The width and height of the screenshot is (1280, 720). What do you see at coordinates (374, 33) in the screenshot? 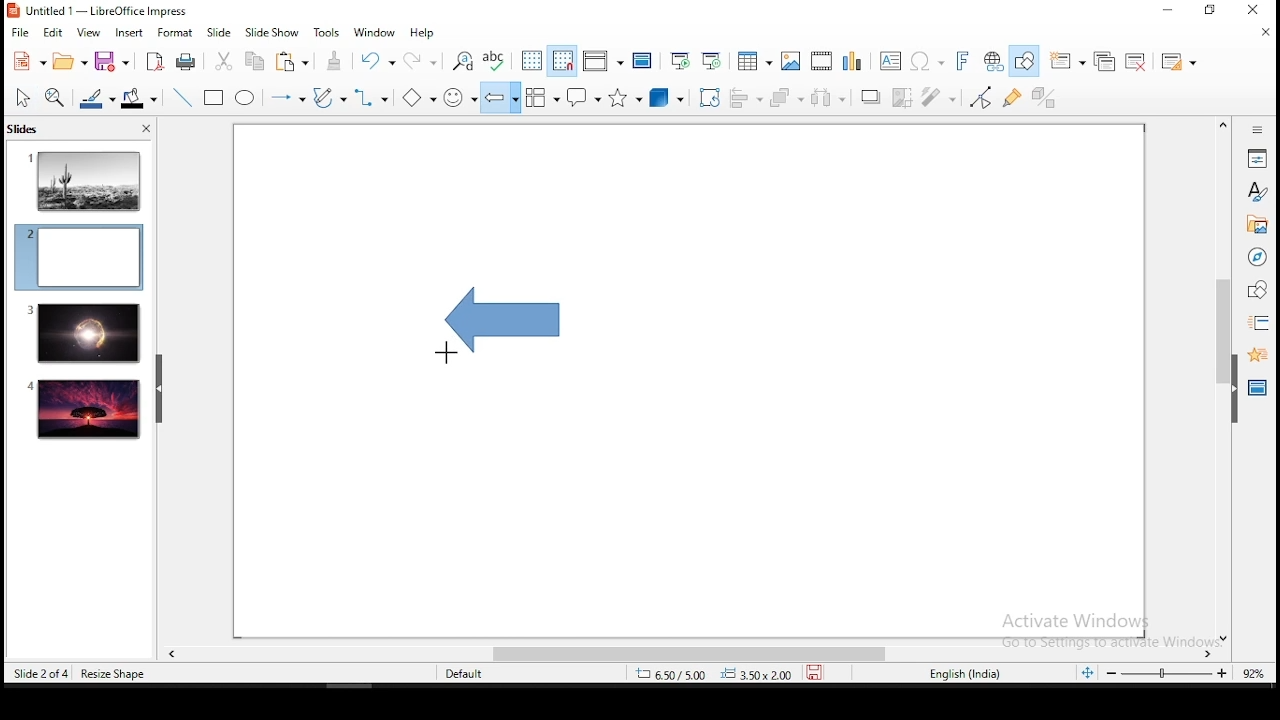
I see `window` at bounding box center [374, 33].